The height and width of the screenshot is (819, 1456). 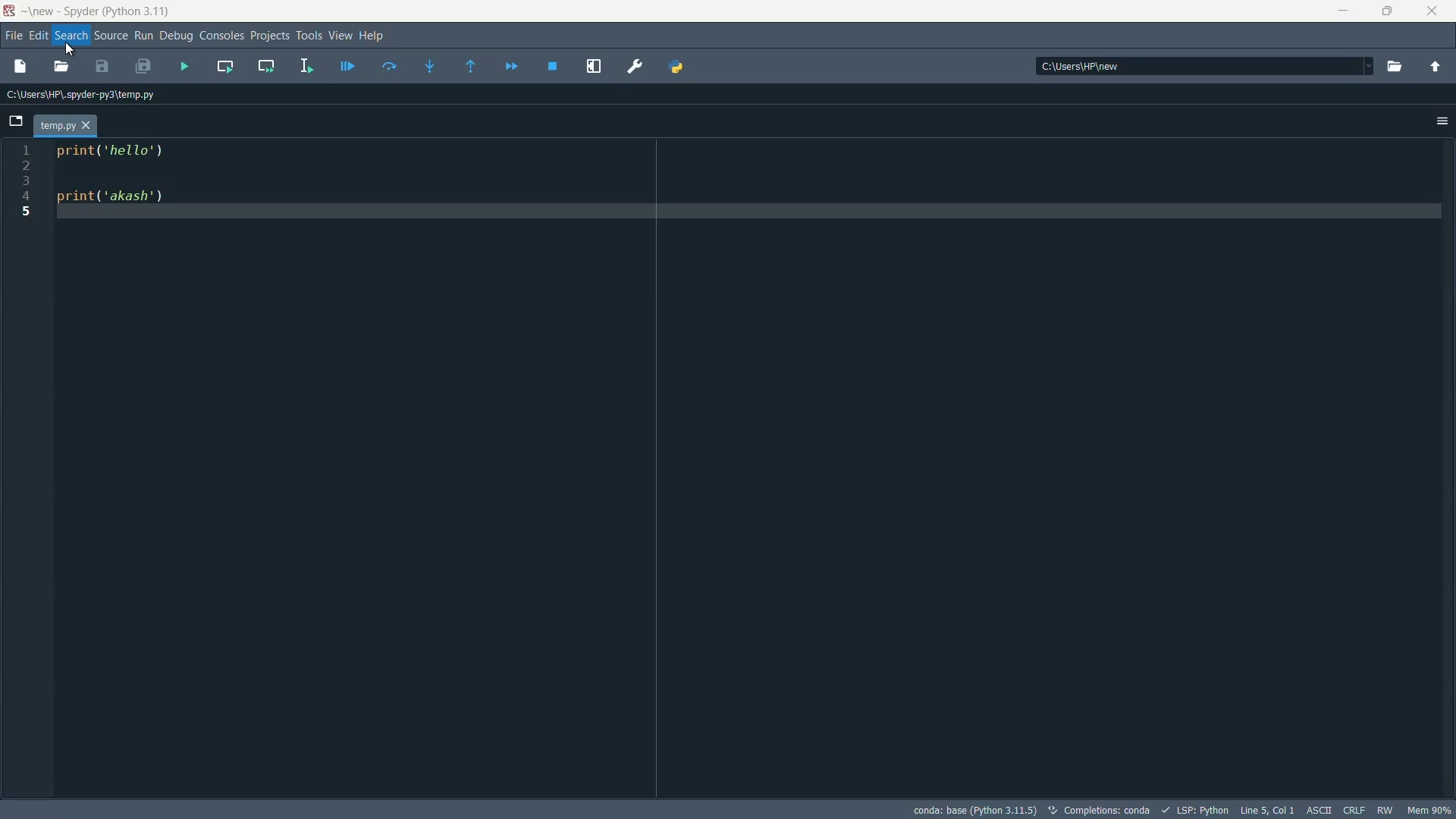 I want to click on parent directory, so click(x=1437, y=65).